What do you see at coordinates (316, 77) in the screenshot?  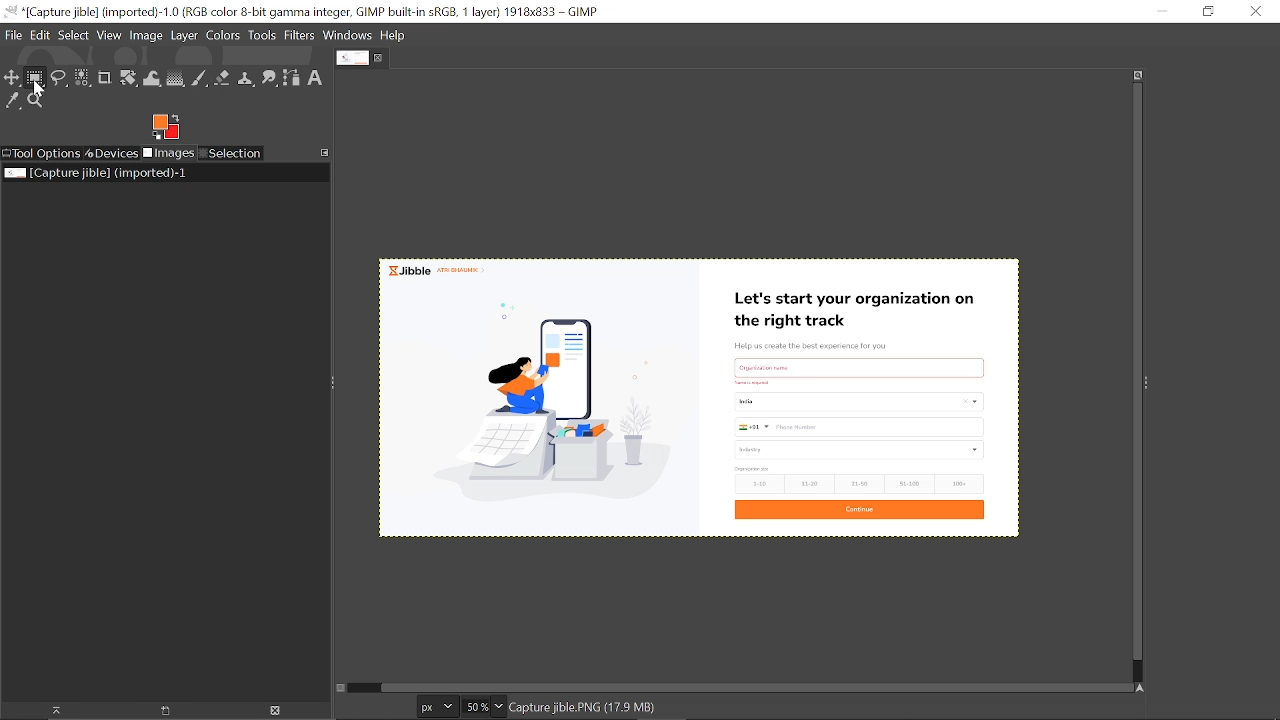 I see `Text tool` at bounding box center [316, 77].